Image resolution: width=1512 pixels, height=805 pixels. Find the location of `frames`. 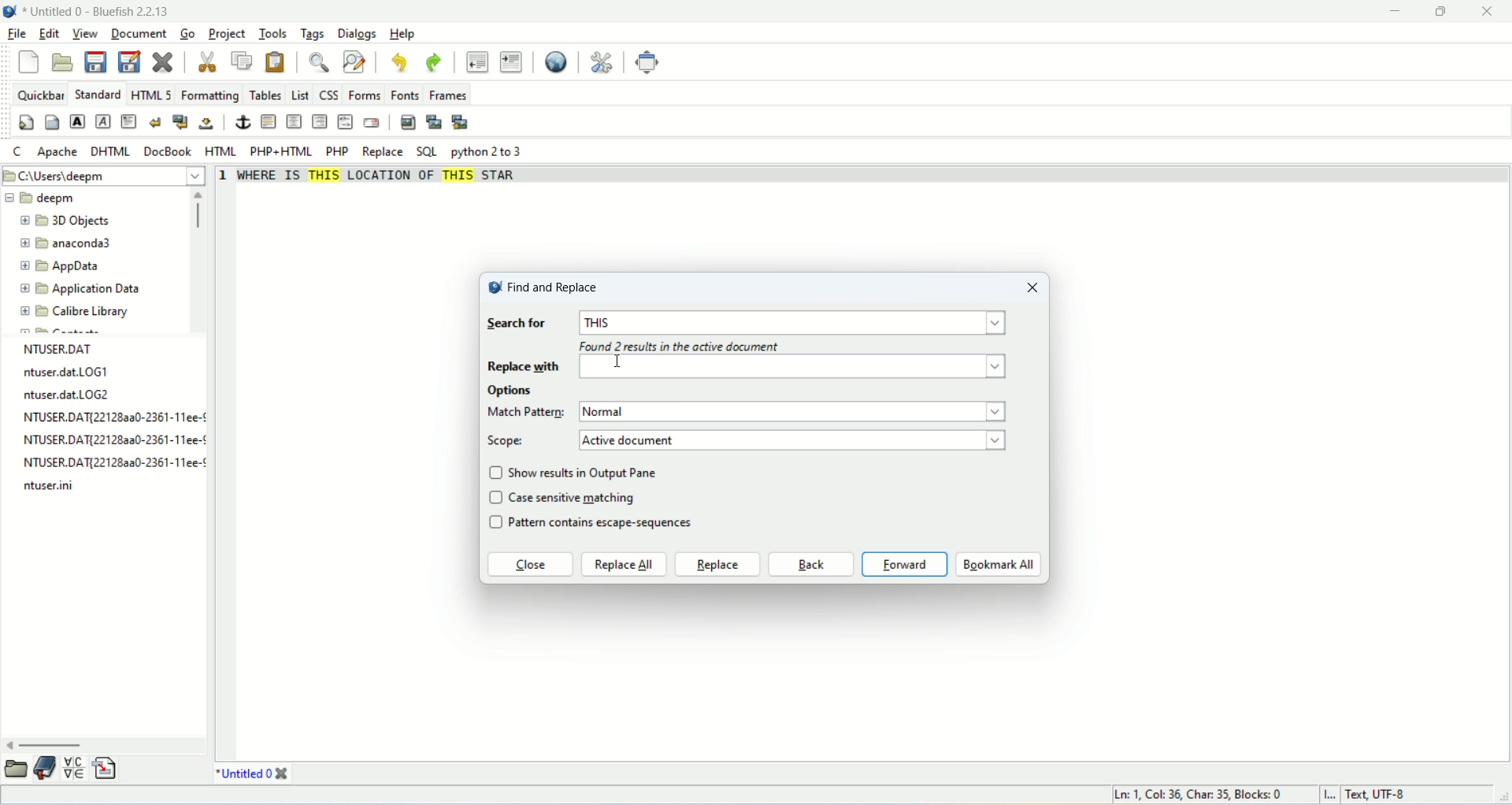

frames is located at coordinates (449, 96).